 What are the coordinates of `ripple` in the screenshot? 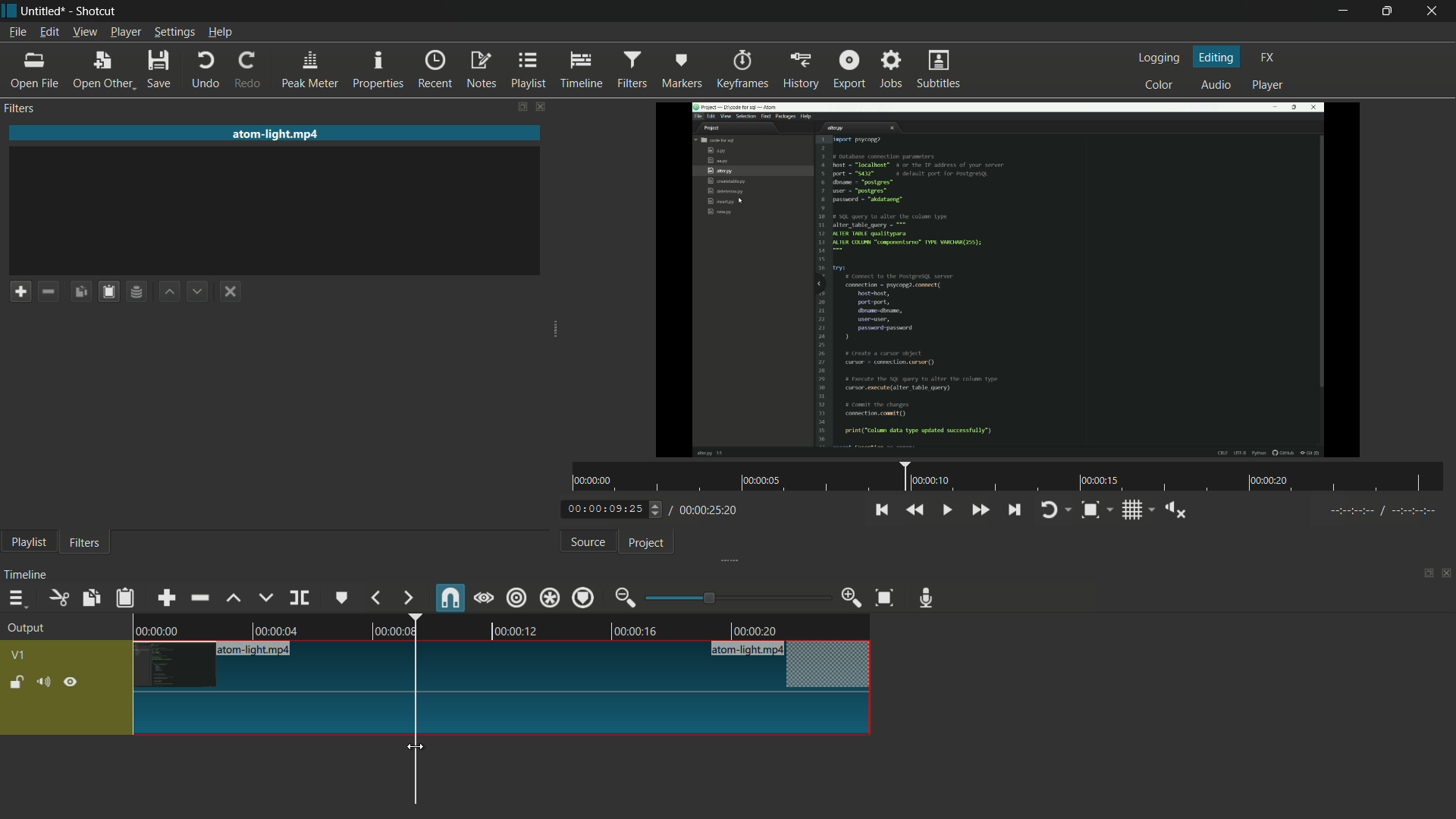 It's located at (517, 599).